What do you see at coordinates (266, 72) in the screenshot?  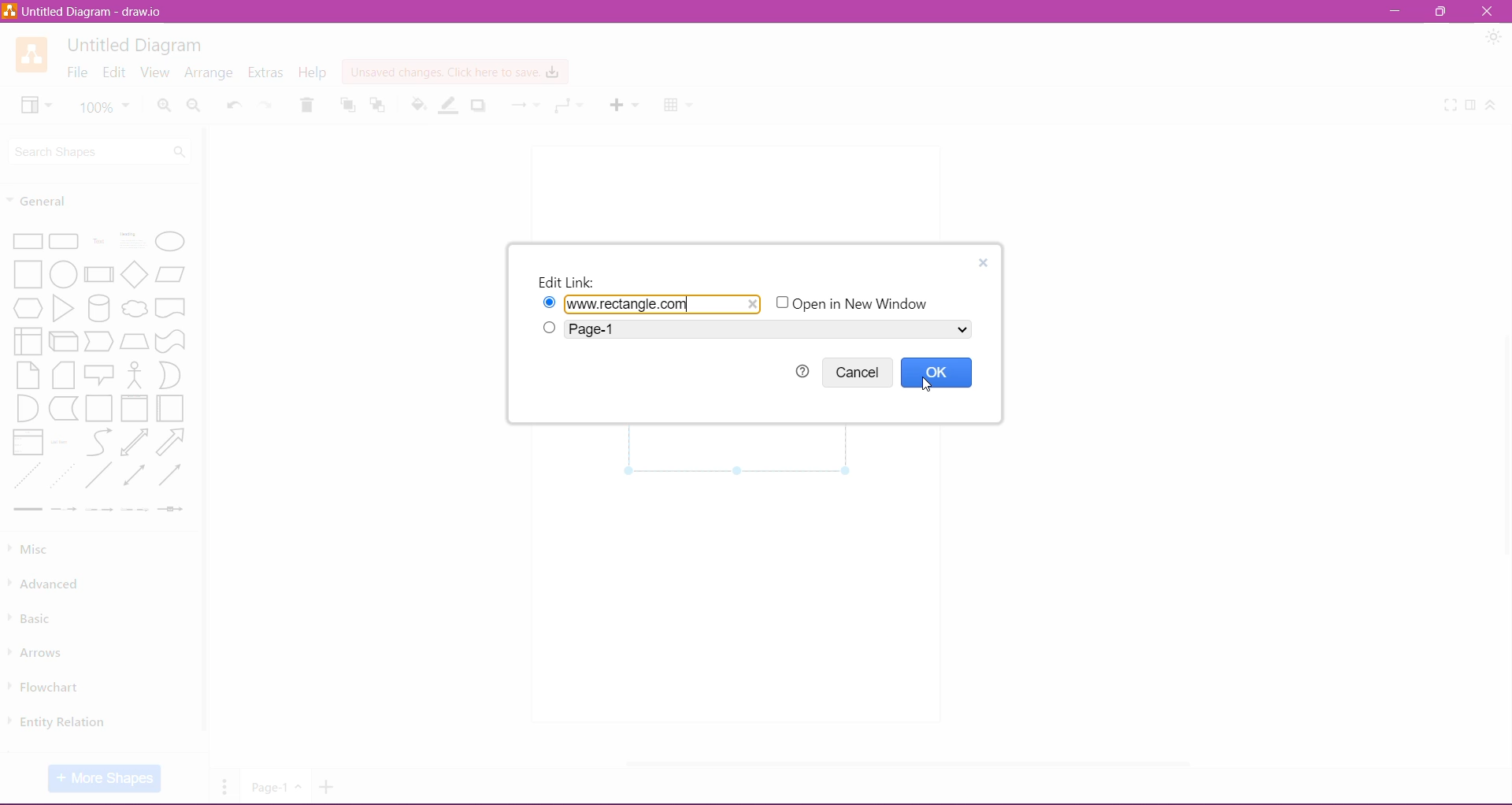 I see `Extras` at bounding box center [266, 72].